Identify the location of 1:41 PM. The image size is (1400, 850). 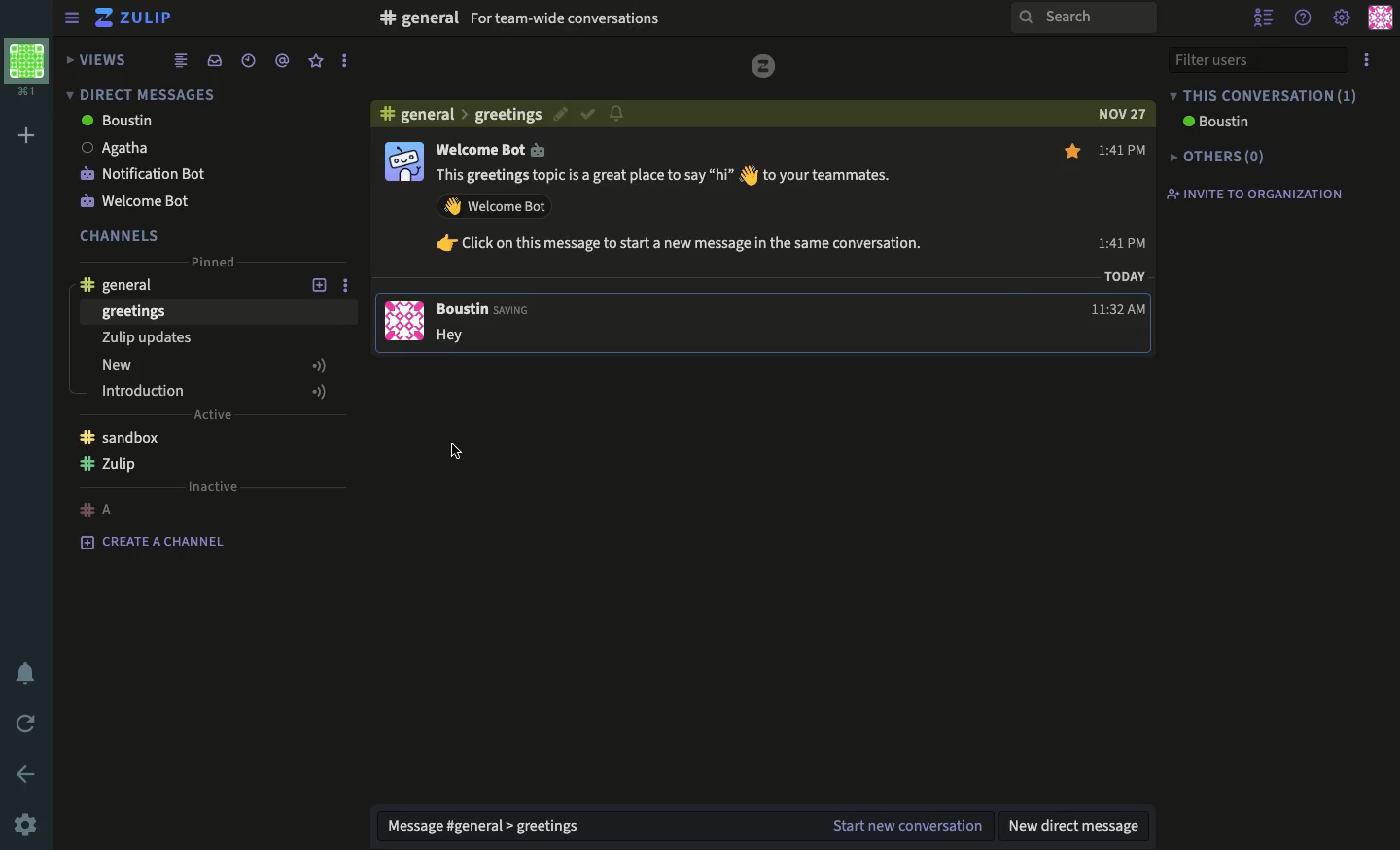
(1124, 195).